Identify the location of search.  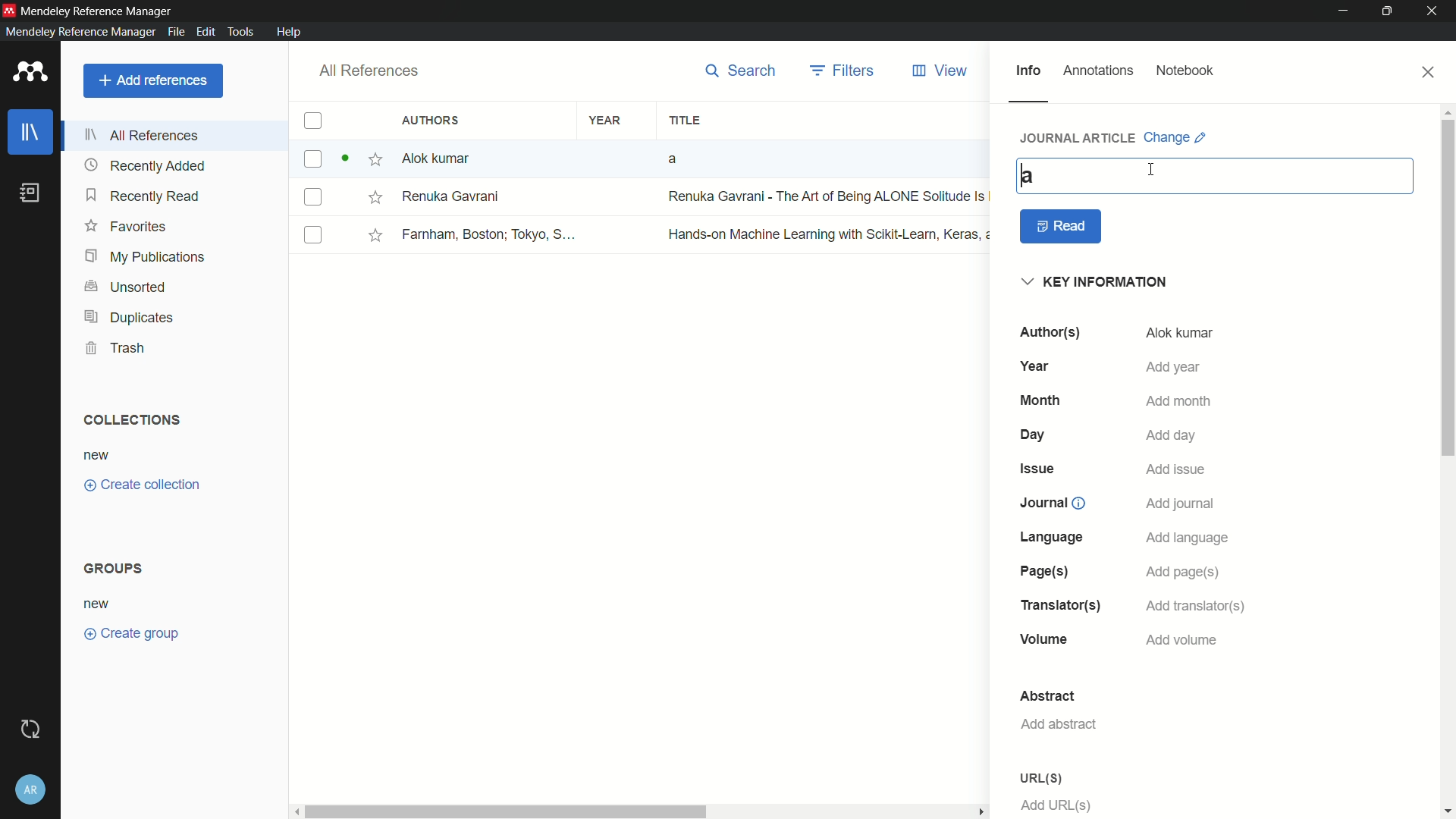
(741, 71).